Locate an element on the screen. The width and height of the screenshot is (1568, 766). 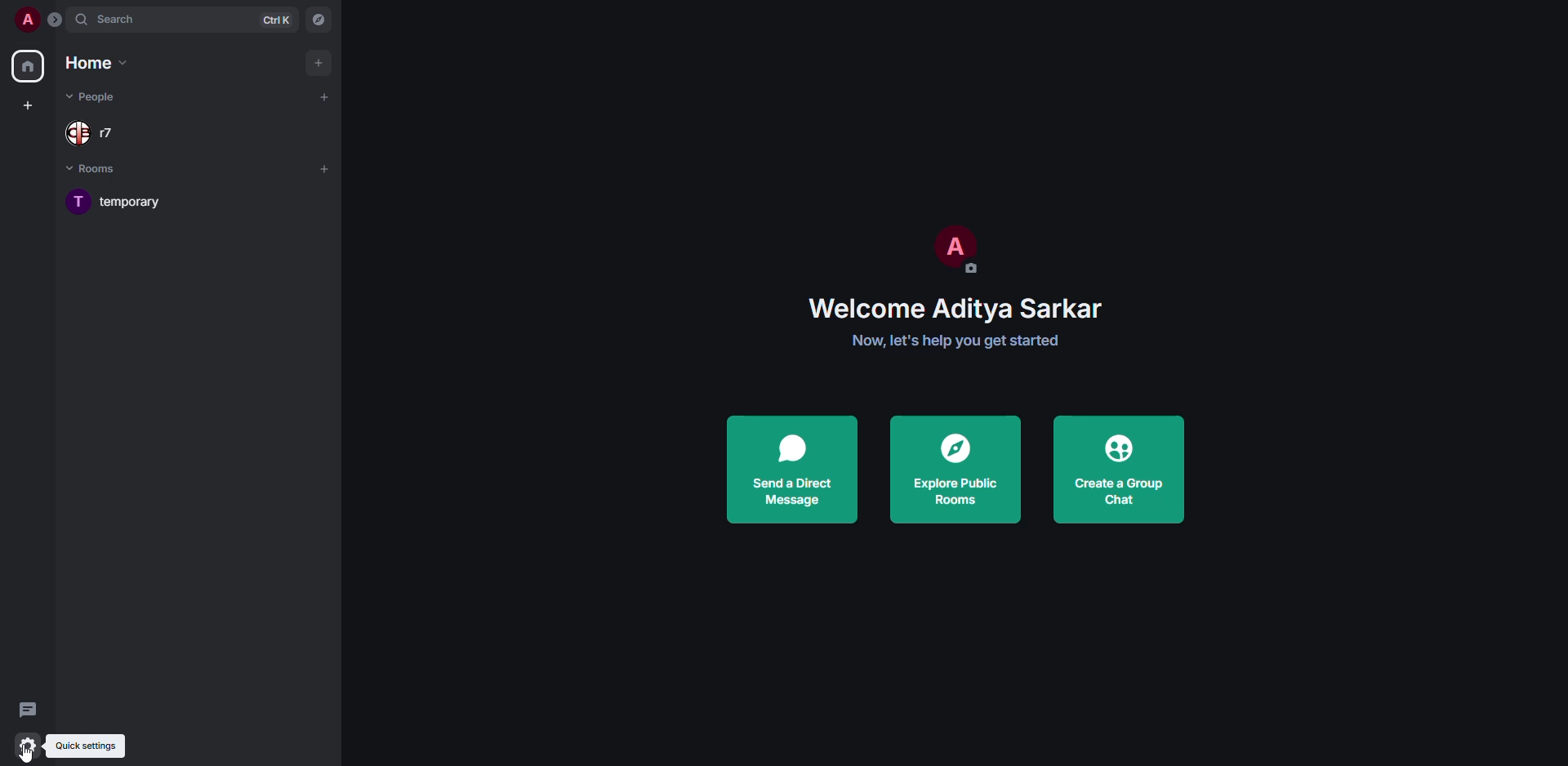
ctrl K is located at coordinates (277, 19).